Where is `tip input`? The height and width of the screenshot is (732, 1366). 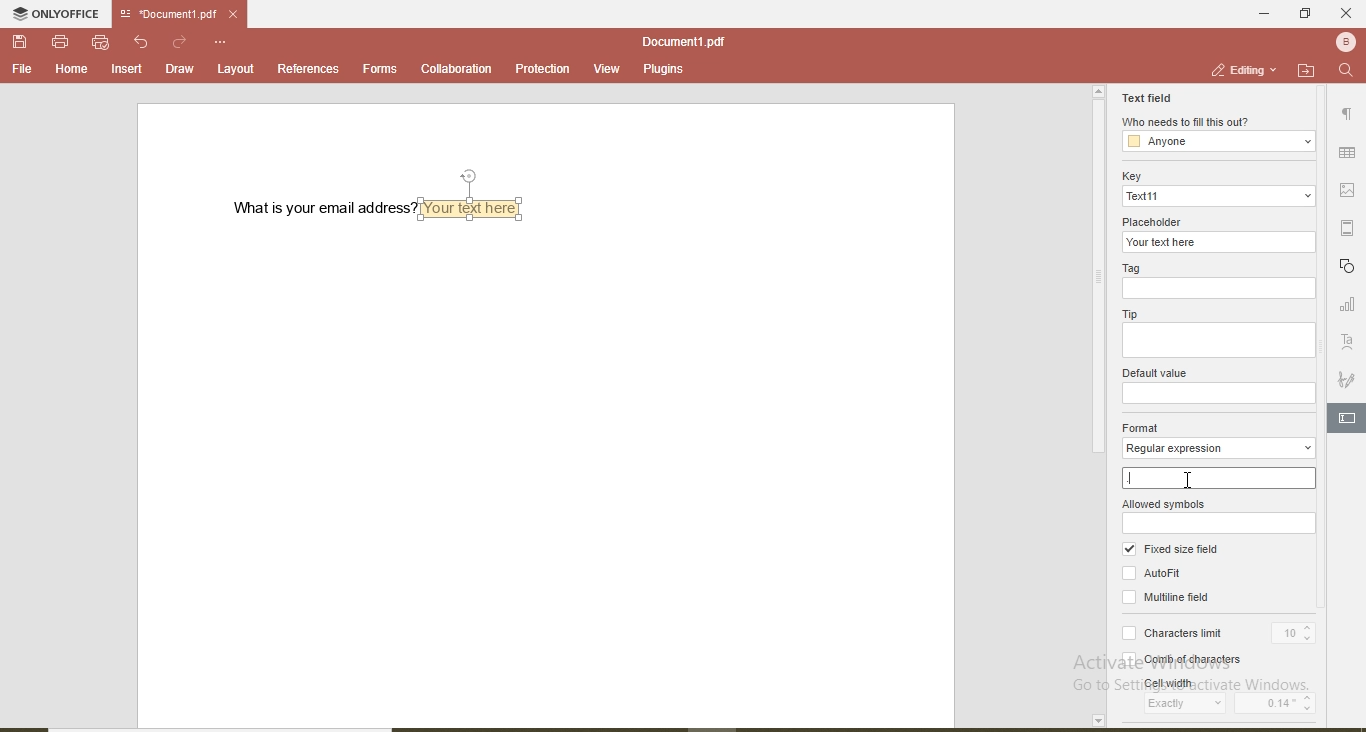
tip input is located at coordinates (1217, 341).